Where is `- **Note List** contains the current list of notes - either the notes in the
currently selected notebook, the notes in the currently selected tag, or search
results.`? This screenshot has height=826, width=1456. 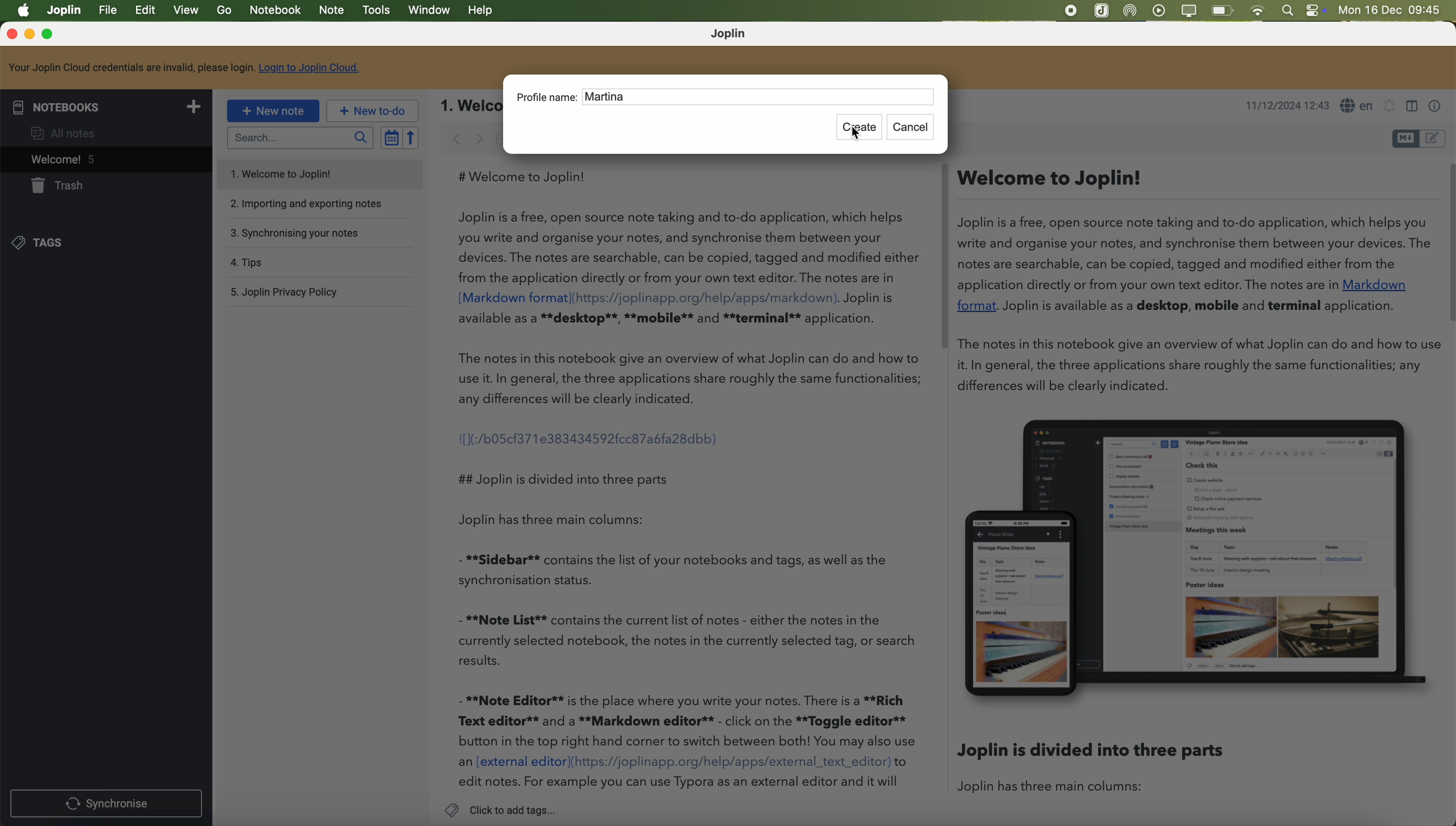 - **Note List** contains the current list of notes - either the notes in the
currently selected notebook, the notes in the currently selected tag, or search
results. is located at coordinates (689, 640).